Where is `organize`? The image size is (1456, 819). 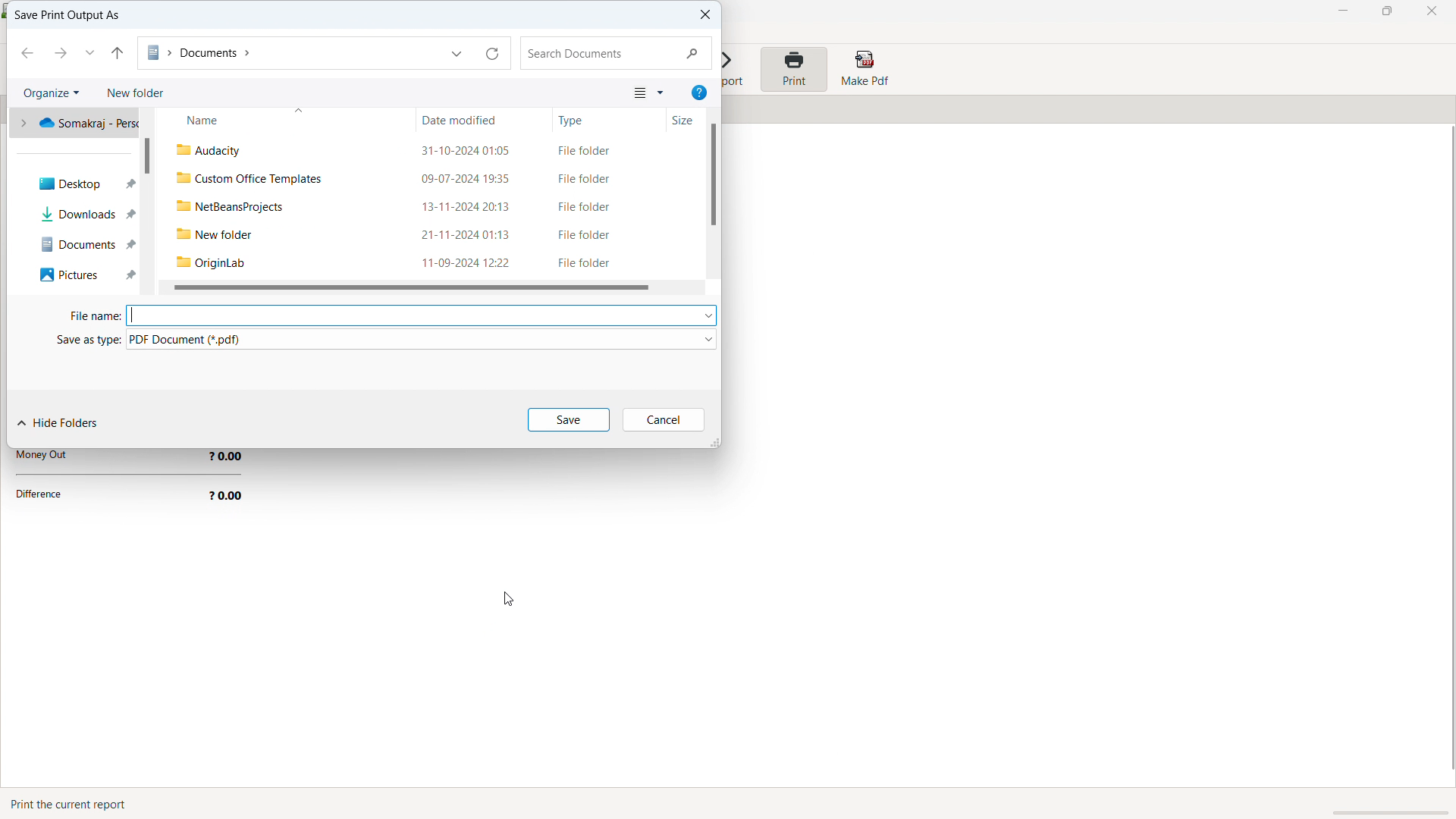 organize is located at coordinates (52, 93).